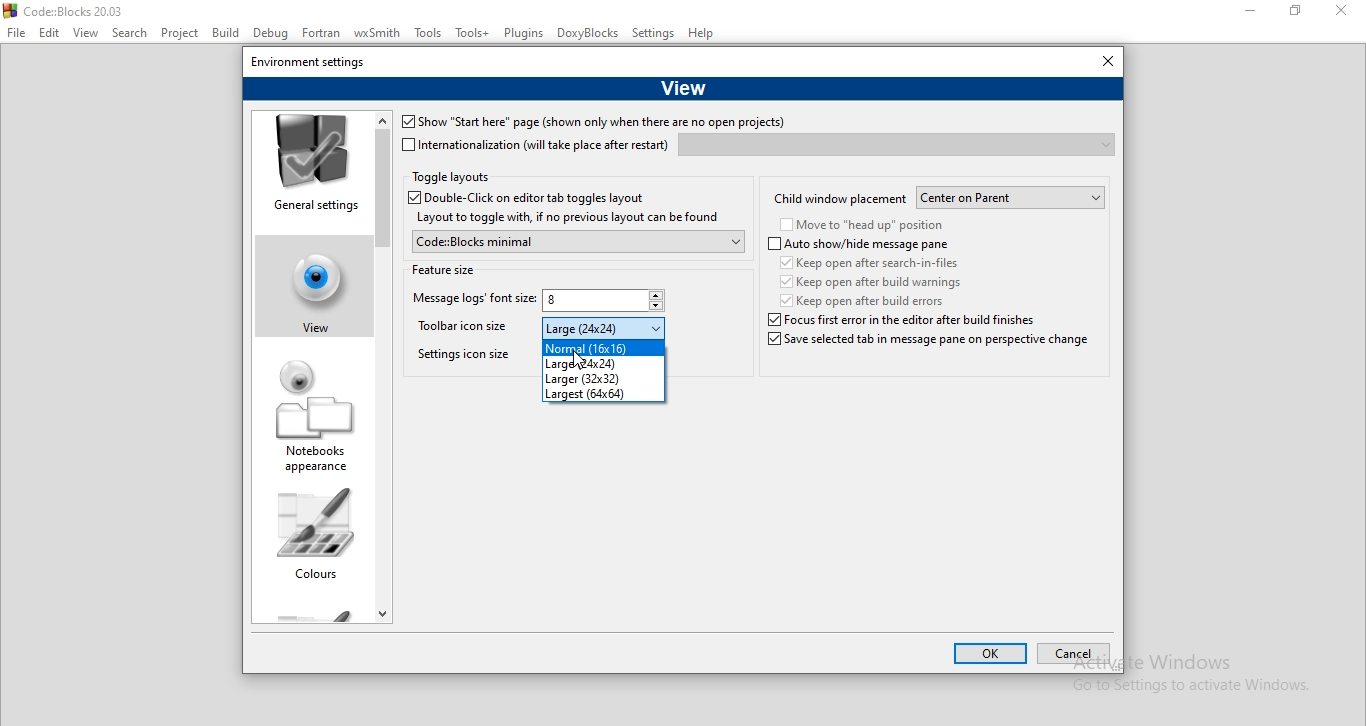 The image size is (1366, 726). I want to click on Bulid, so click(225, 32).